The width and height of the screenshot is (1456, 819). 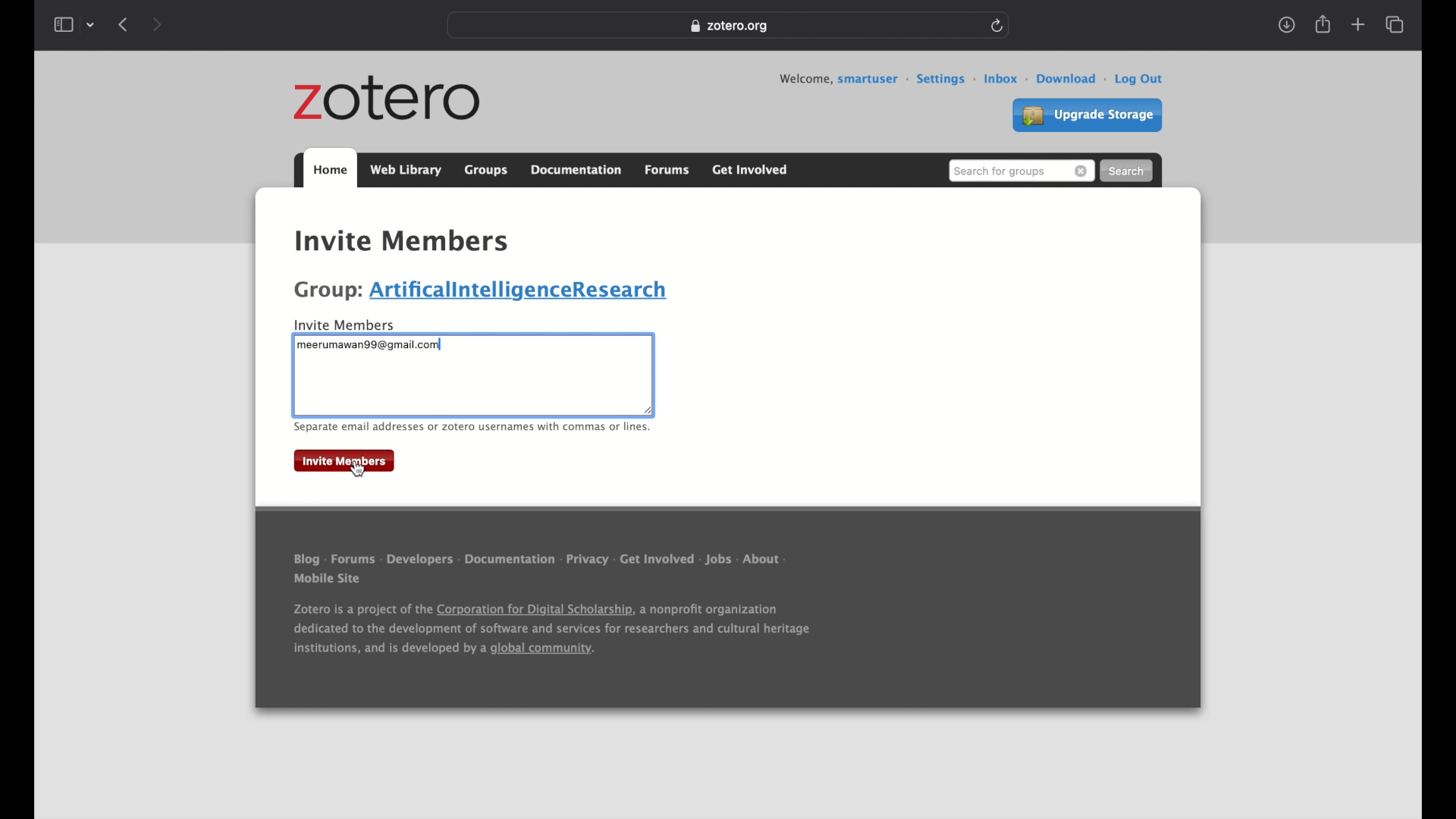 I want to click on search for groups, so click(x=1021, y=171).